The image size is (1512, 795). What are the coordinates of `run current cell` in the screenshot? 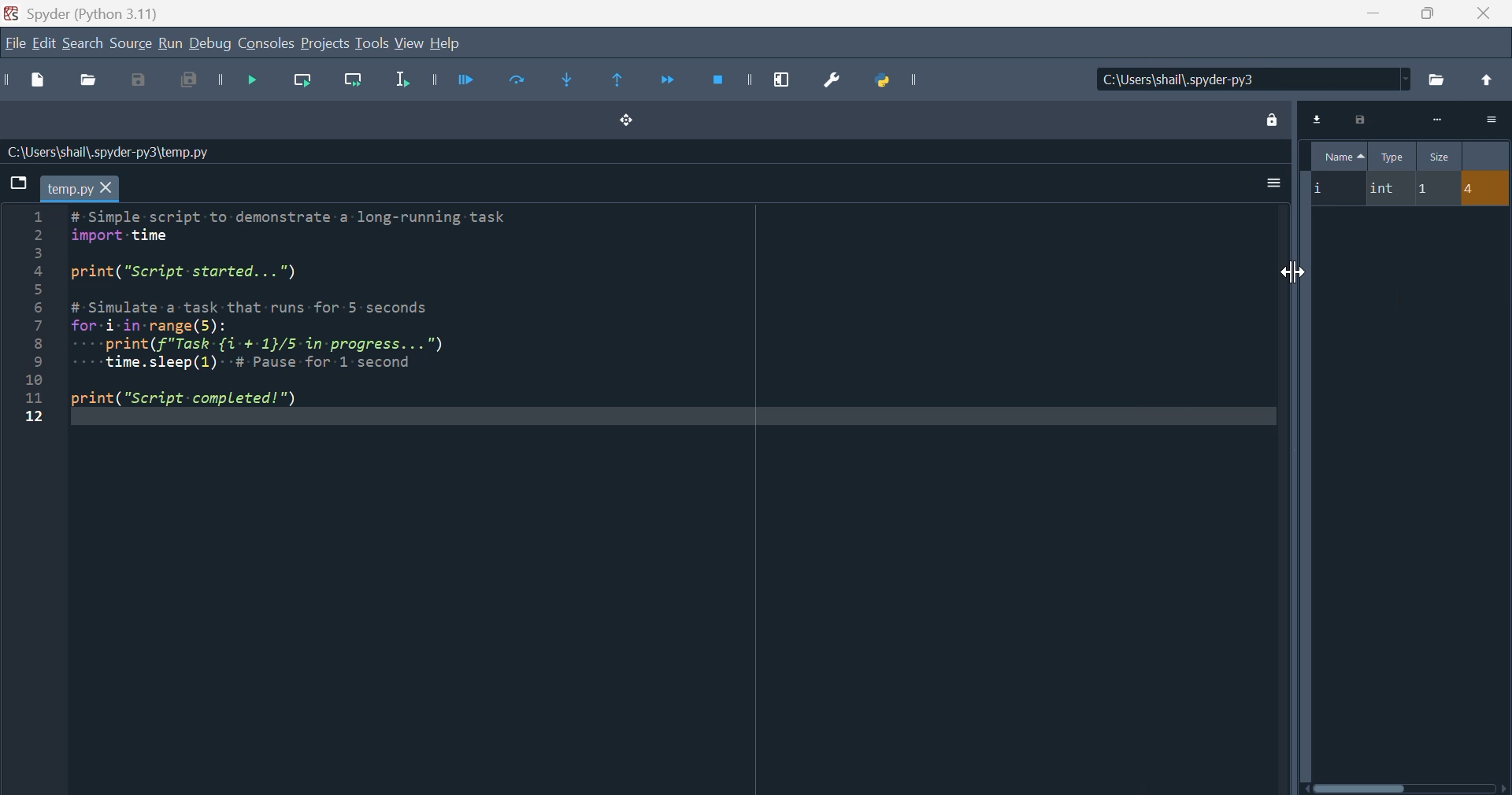 It's located at (511, 83).